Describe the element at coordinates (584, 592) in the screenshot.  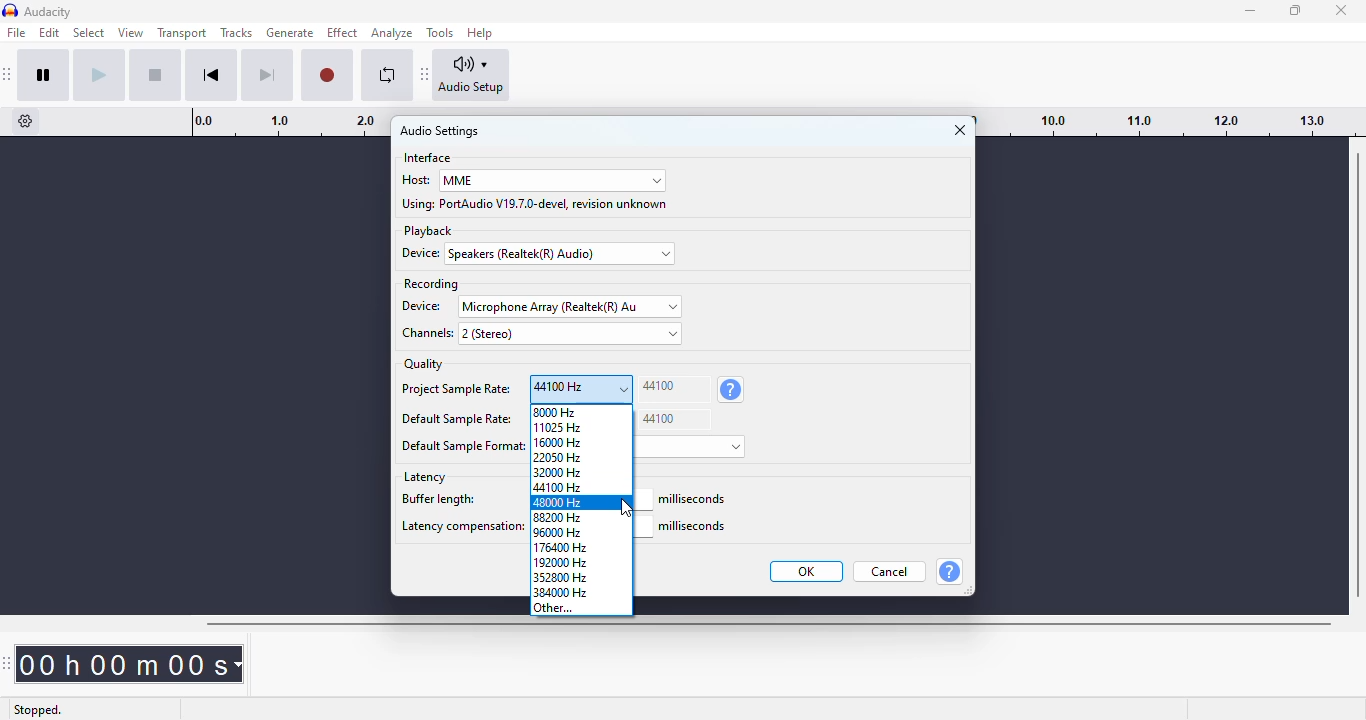
I see `384000 Hz` at that location.